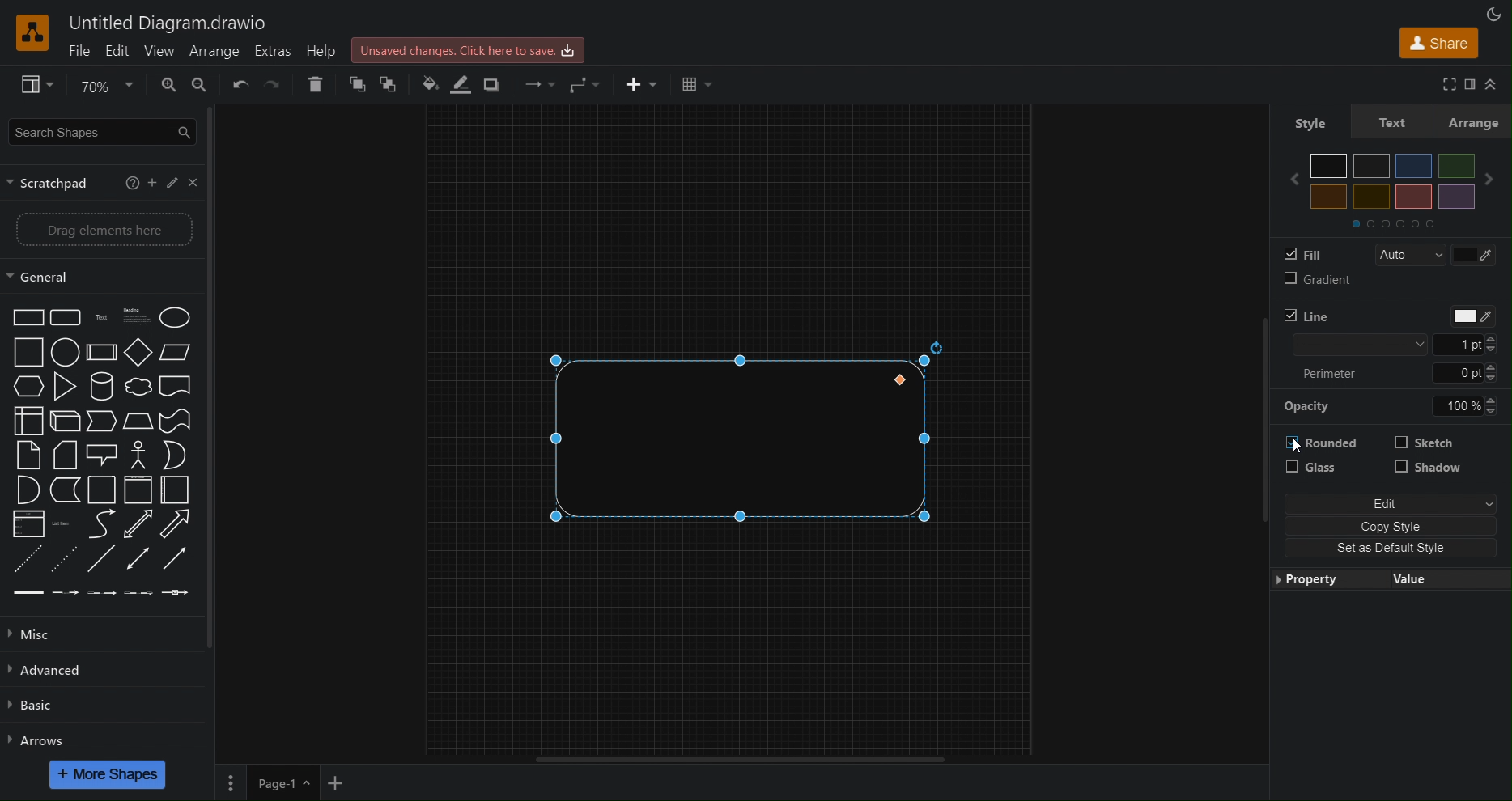  I want to click on Page 1, so click(282, 783).